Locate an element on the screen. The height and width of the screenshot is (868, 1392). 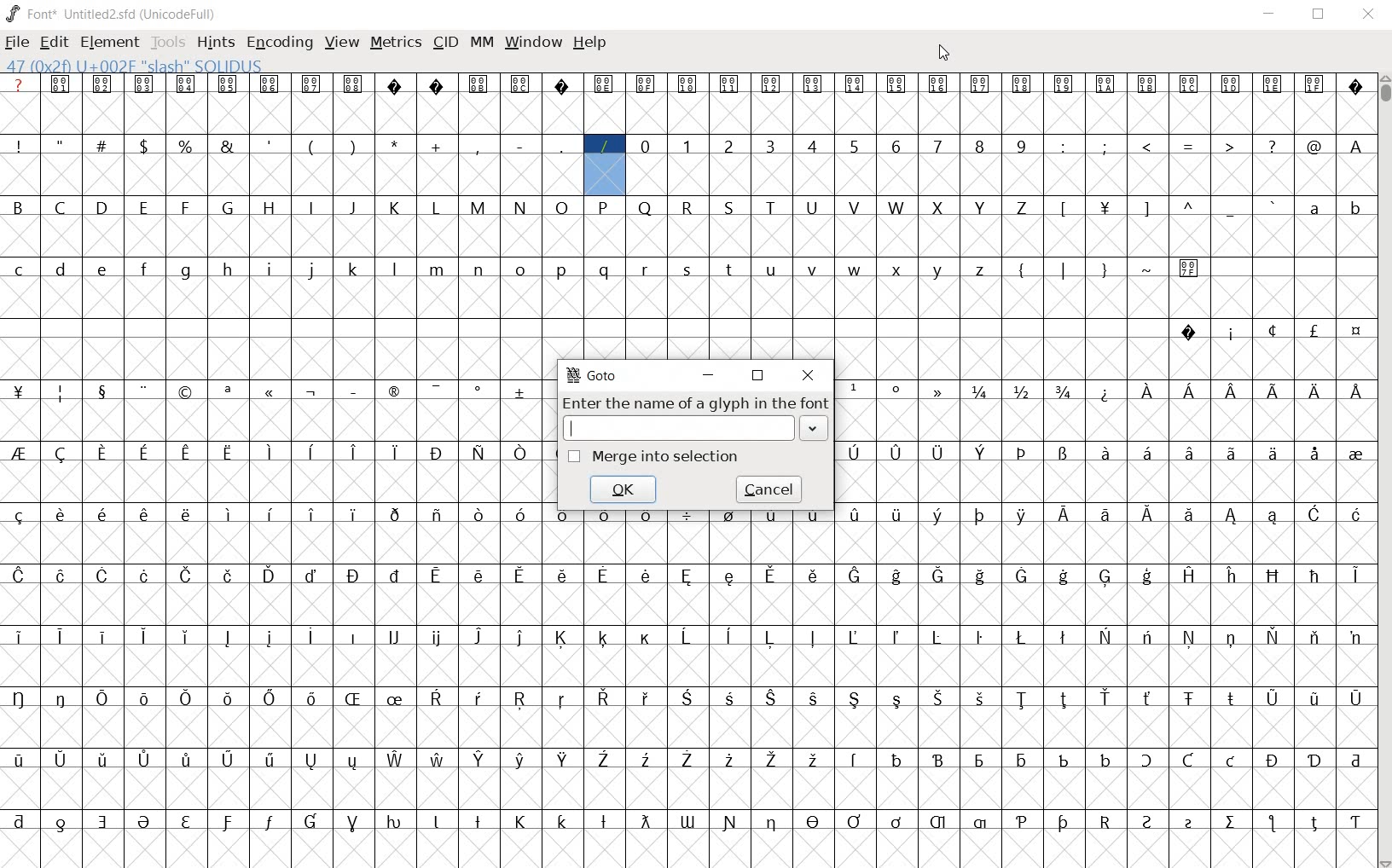
glyph is located at coordinates (103, 822).